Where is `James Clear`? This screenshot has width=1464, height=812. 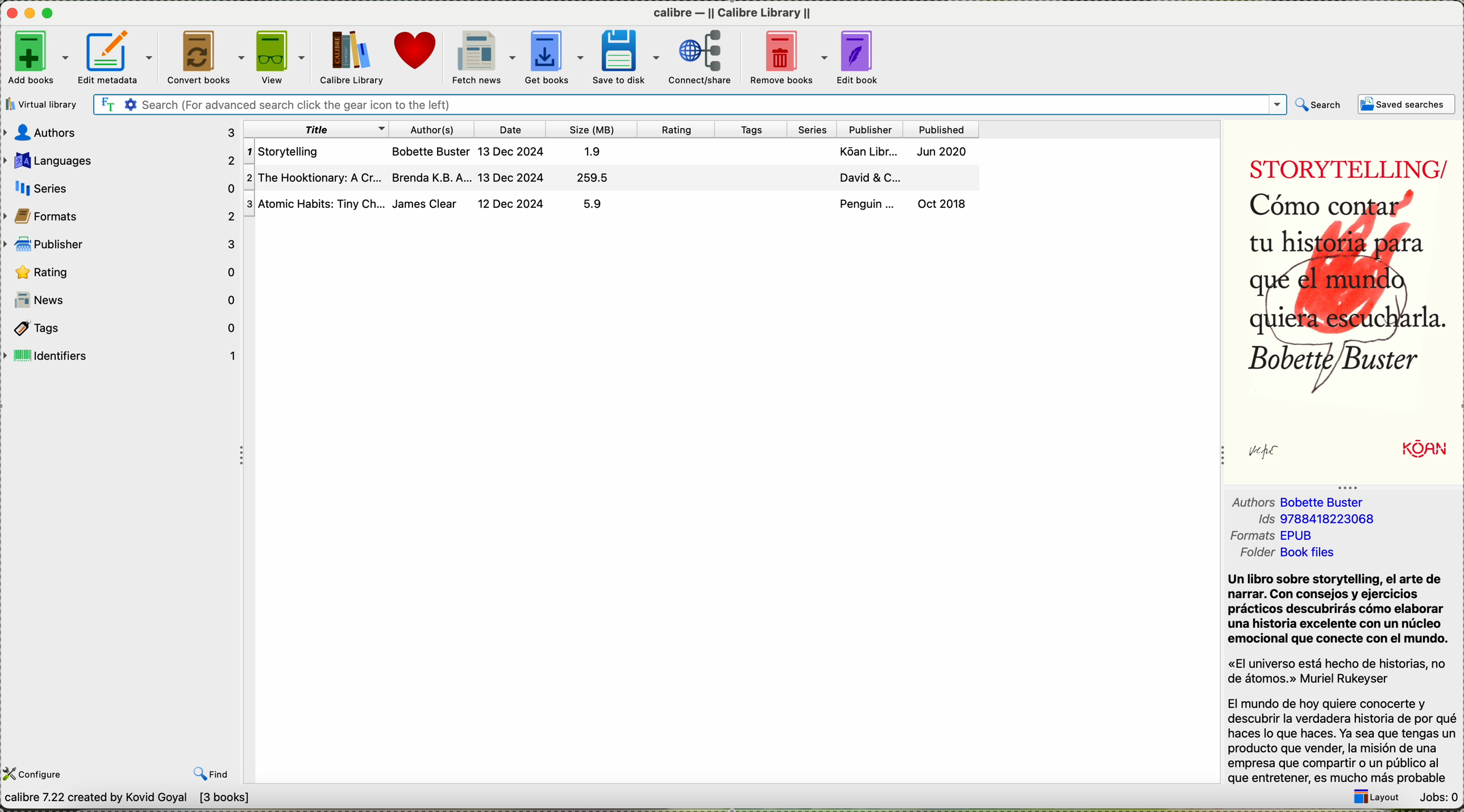
James Clear is located at coordinates (429, 204).